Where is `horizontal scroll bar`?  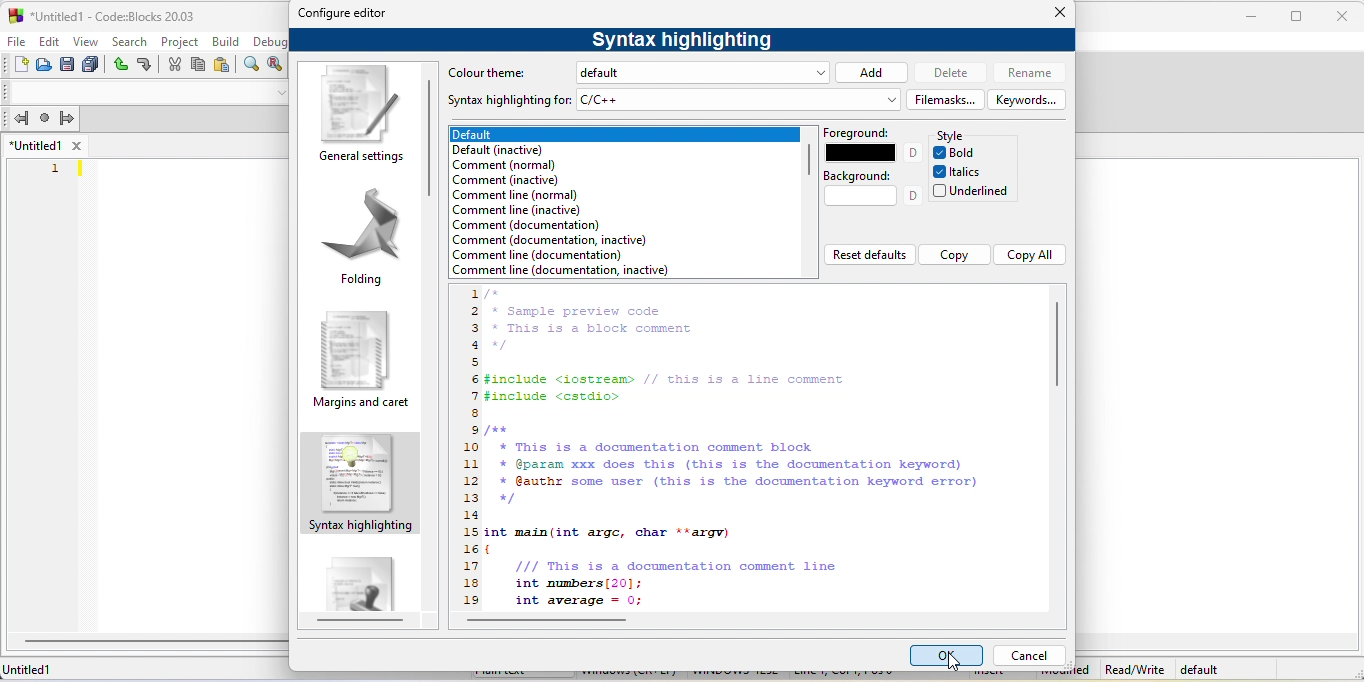
horizontal scroll bar is located at coordinates (553, 622).